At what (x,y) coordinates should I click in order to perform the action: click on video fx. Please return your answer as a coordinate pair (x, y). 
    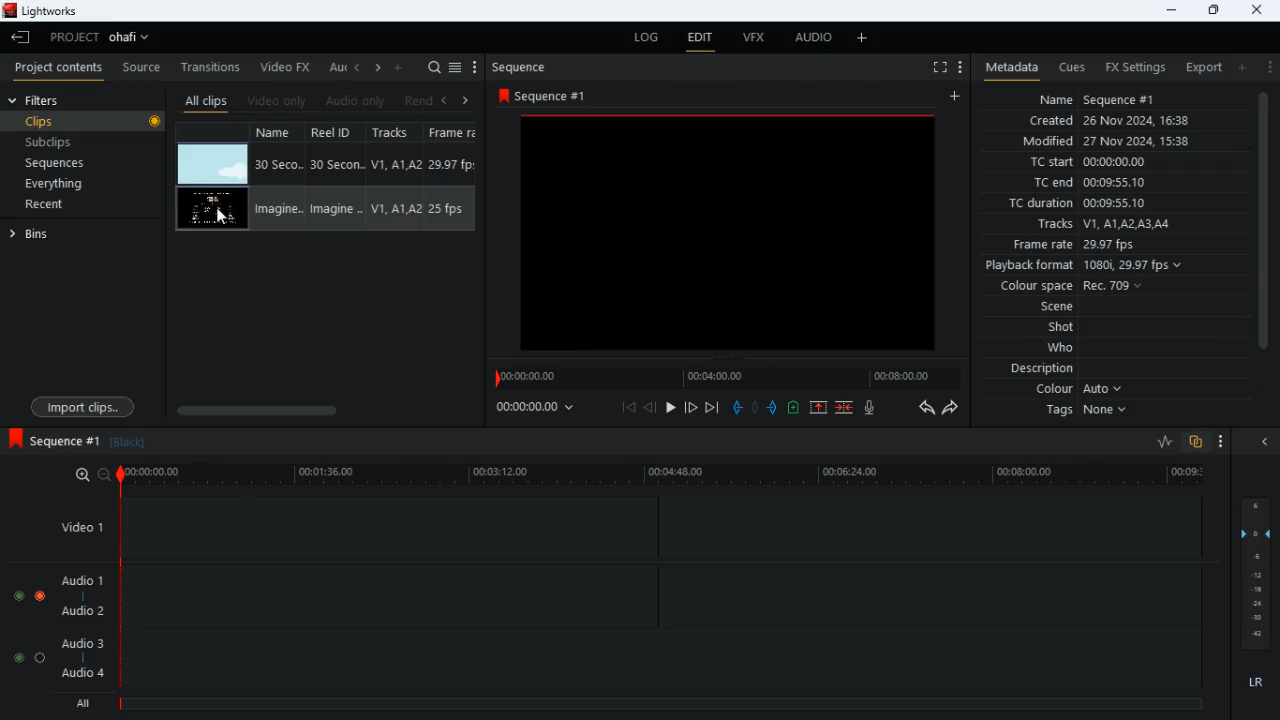
    Looking at the image, I should click on (287, 66).